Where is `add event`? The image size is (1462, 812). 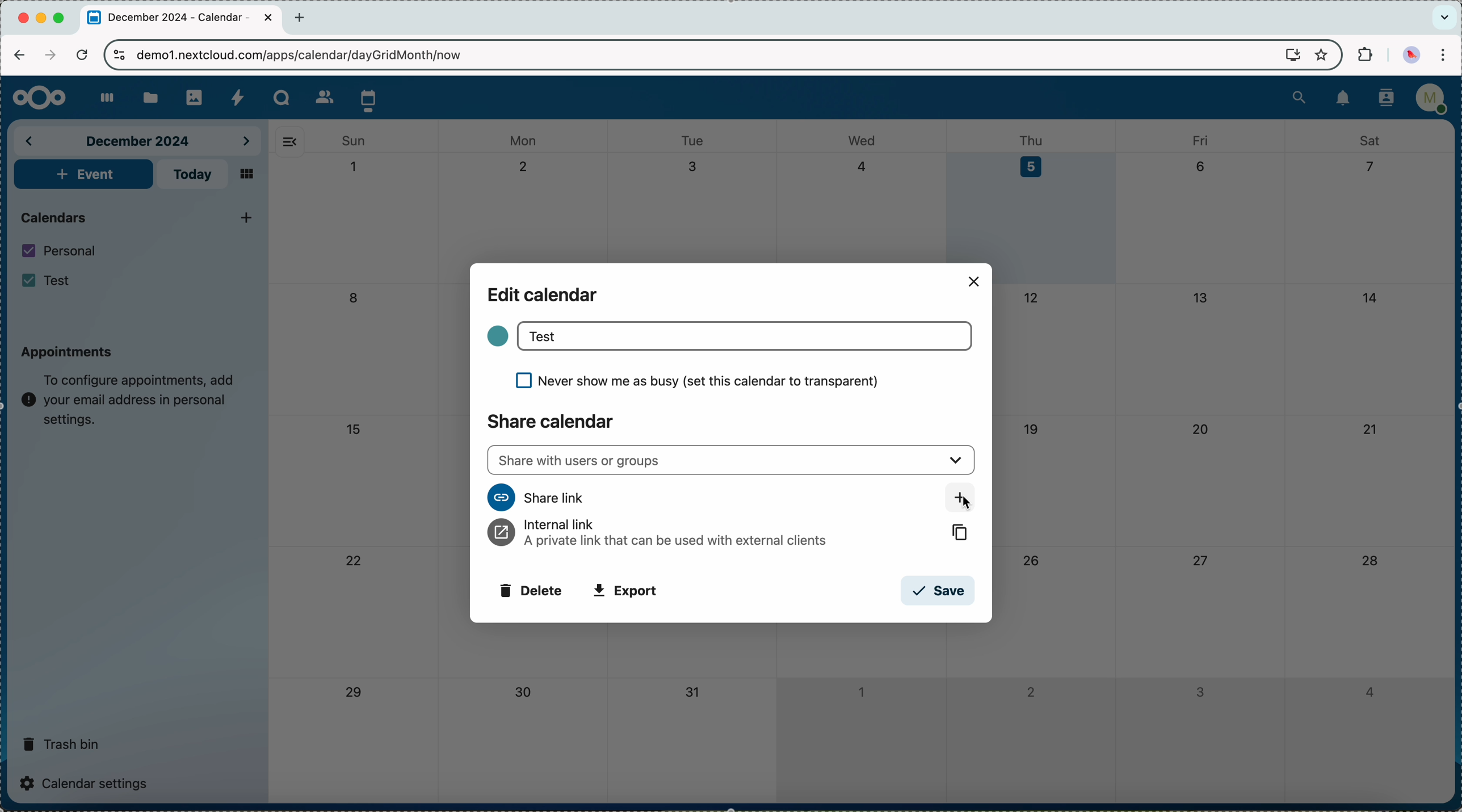
add event is located at coordinates (83, 174).